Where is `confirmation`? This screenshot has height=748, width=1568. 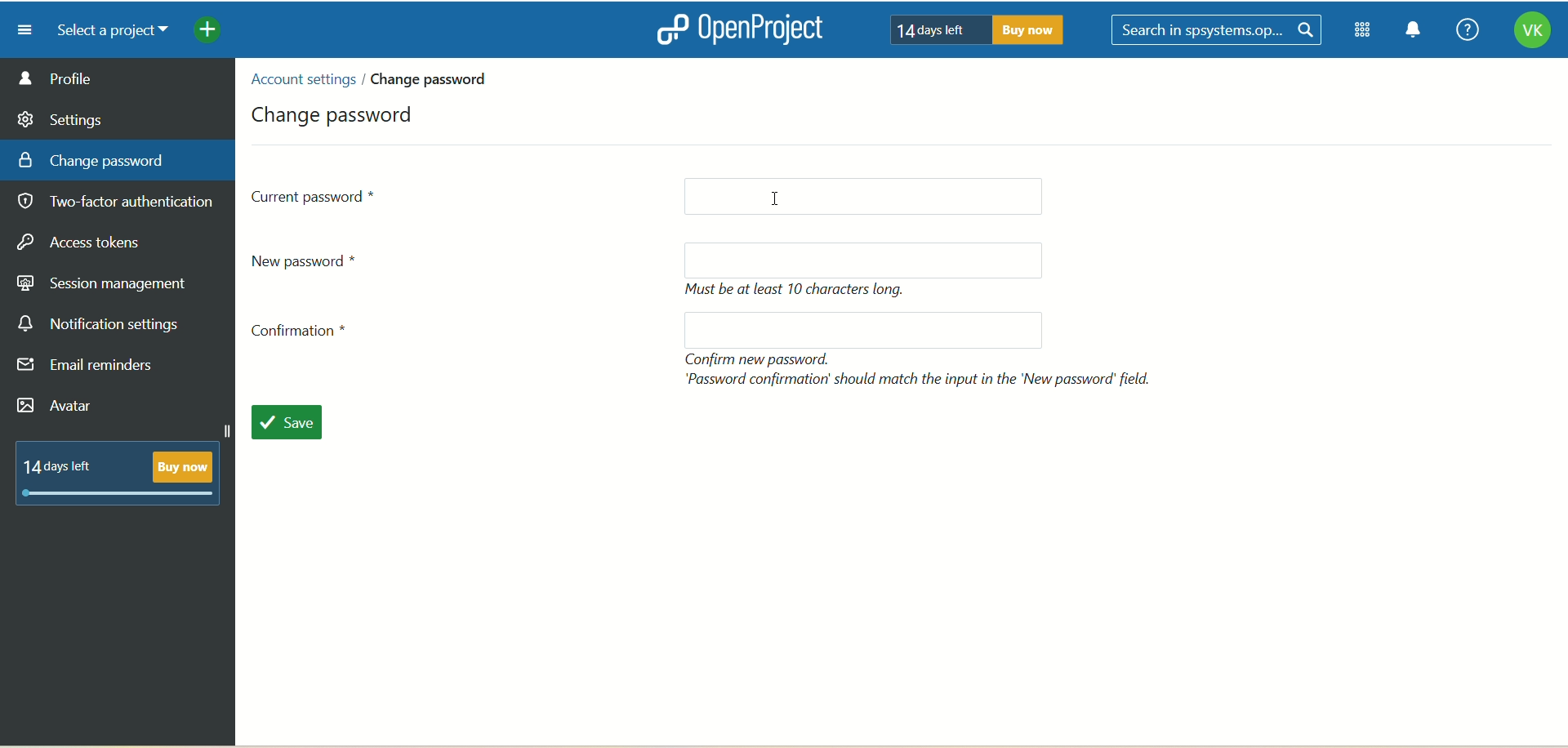 confirmation is located at coordinates (305, 335).